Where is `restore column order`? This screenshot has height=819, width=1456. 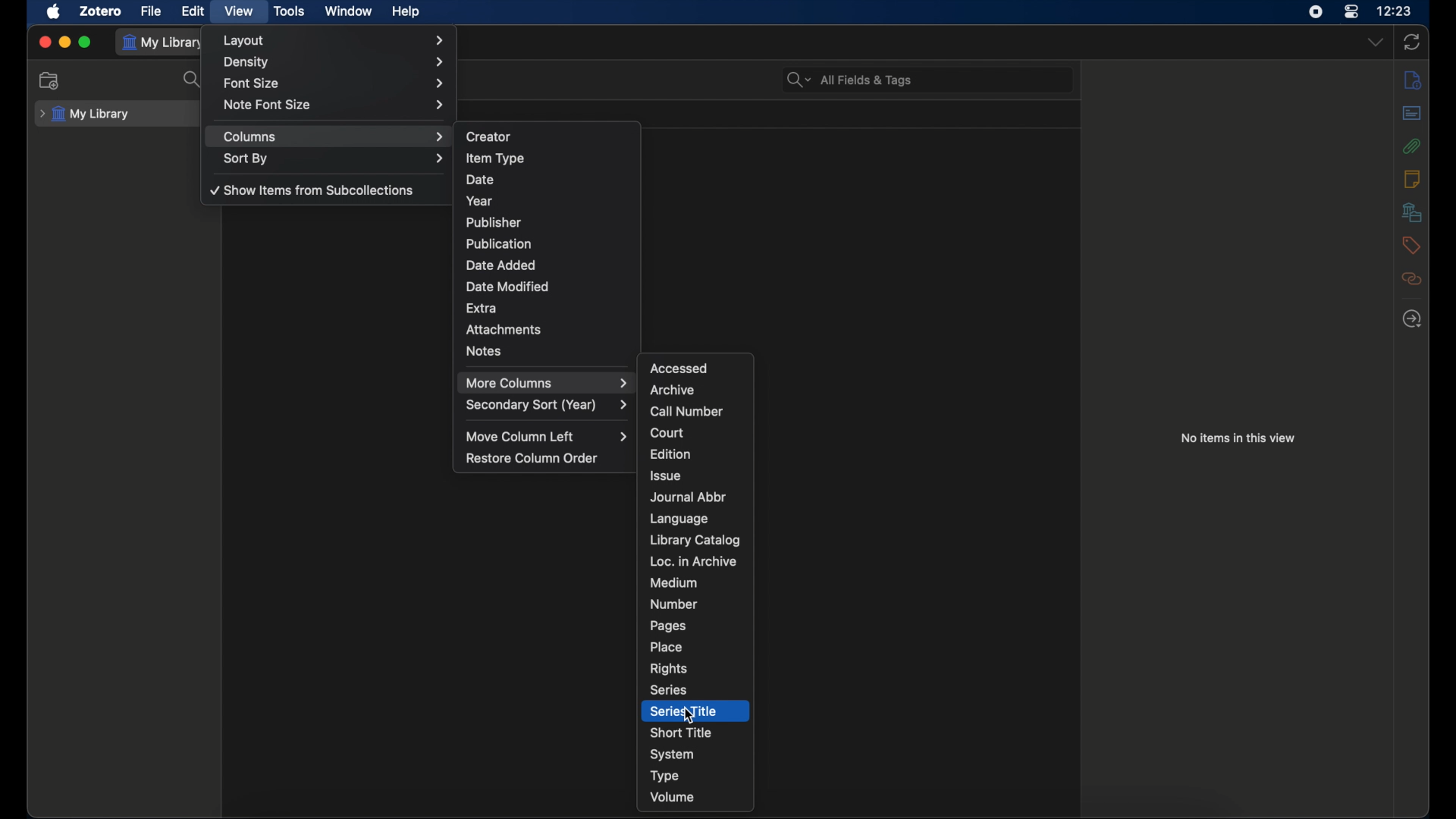 restore column order is located at coordinates (533, 458).